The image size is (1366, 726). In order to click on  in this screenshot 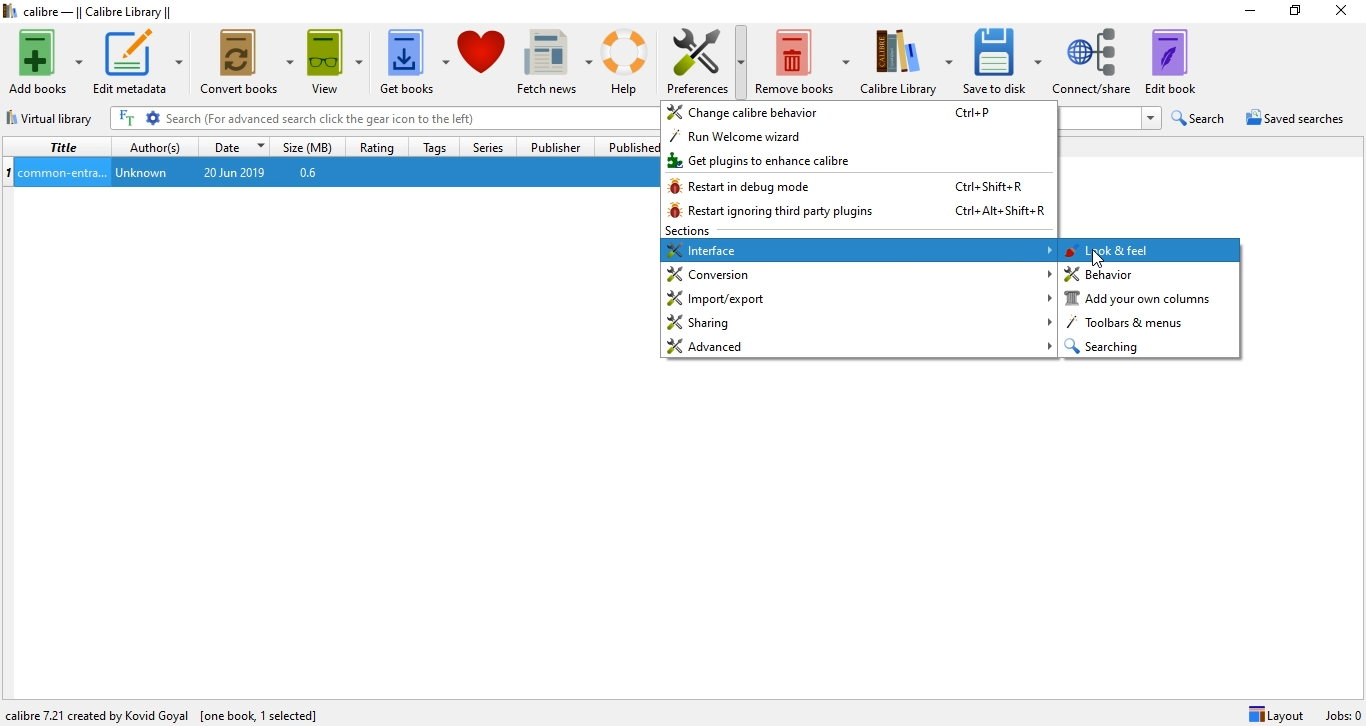, I will do `click(907, 57)`.